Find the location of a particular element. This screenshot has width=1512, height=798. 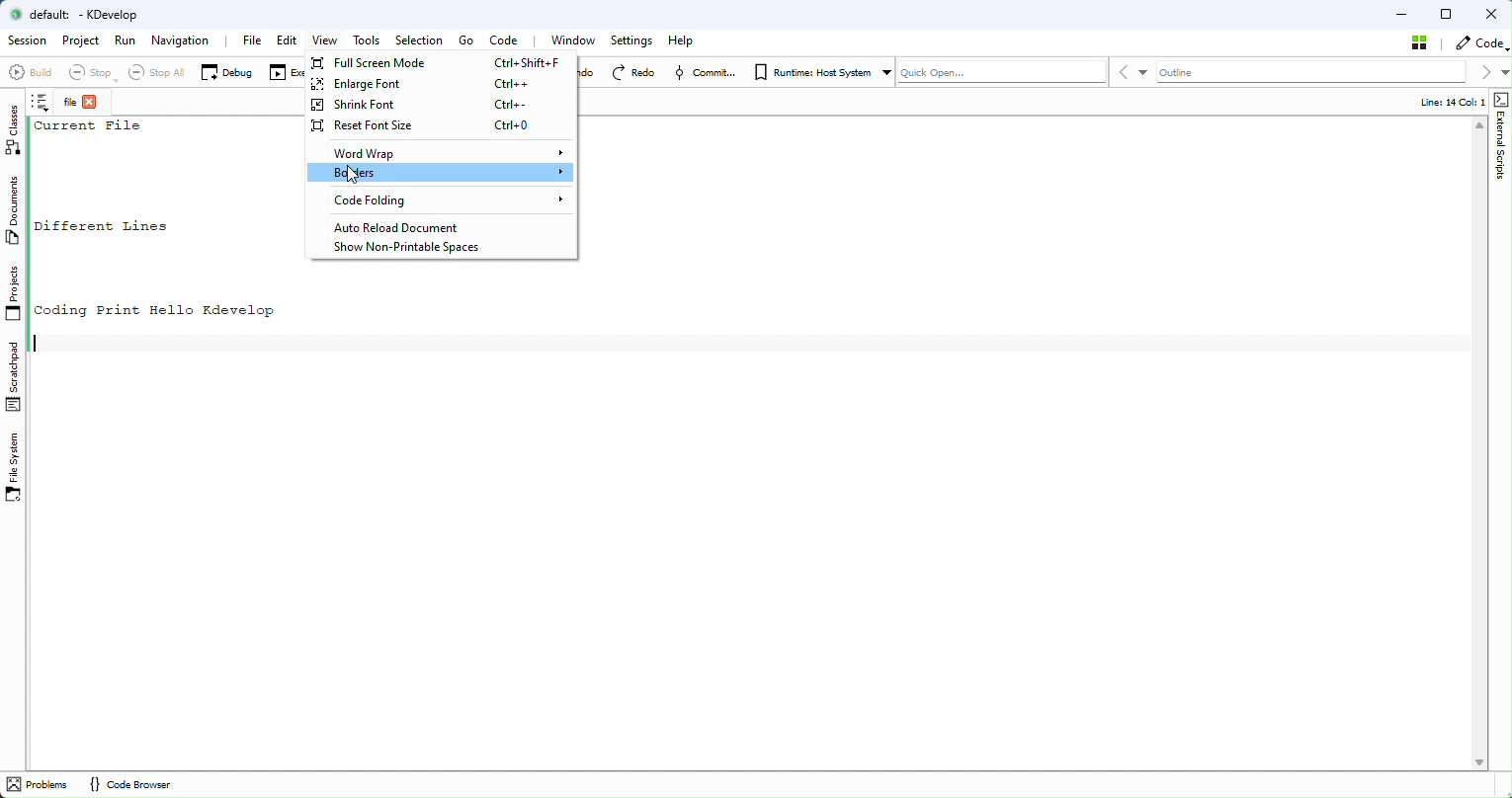

Commit is located at coordinates (708, 73).